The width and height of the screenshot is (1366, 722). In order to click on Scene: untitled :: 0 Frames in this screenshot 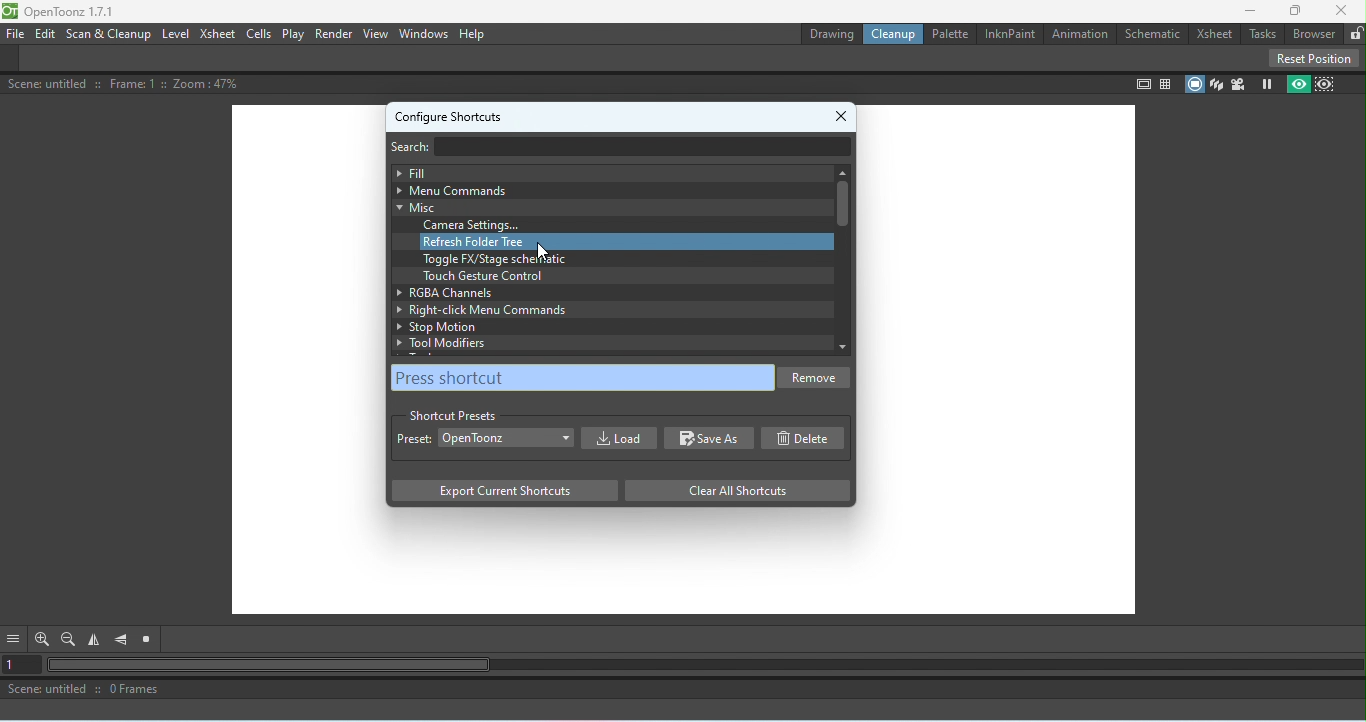, I will do `click(683, 691)`.